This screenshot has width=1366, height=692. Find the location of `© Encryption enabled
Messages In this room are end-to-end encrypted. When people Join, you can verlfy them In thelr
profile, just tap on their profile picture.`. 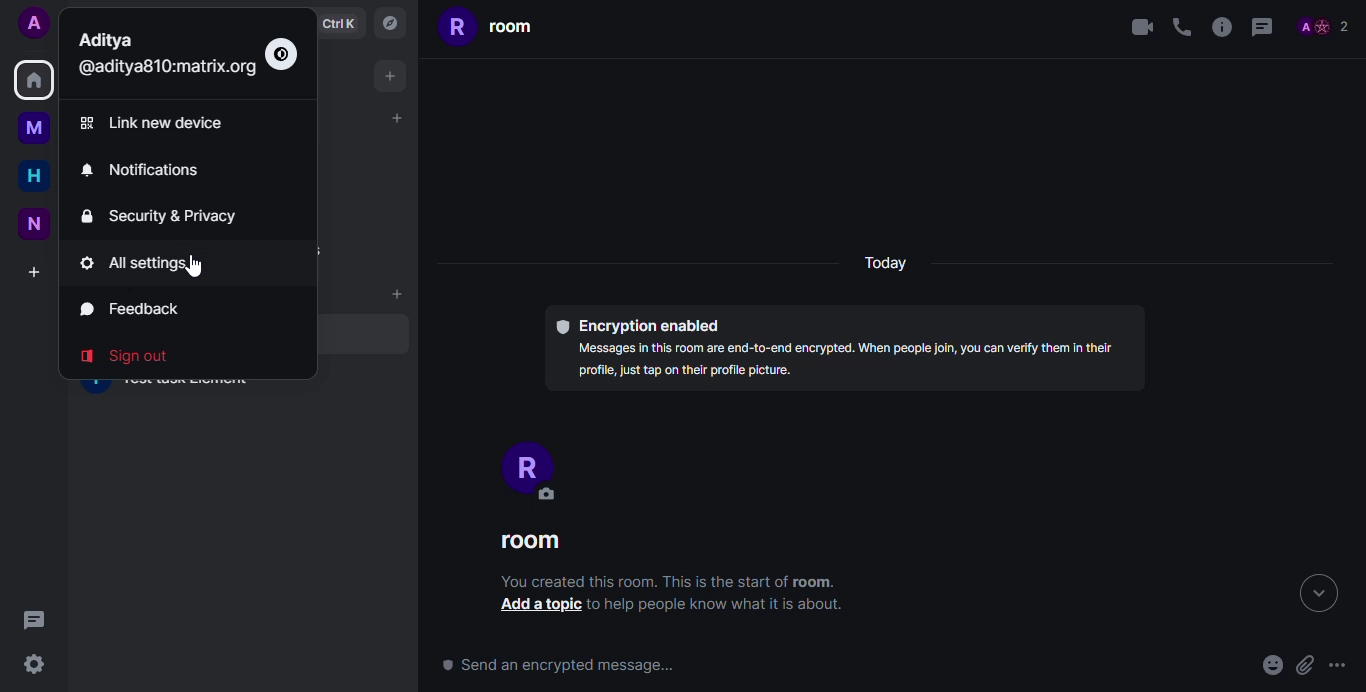

© Encryption enabled
Messages In this room are end-to-end encrypted. When people Join, you can verlfy them In thelr
profile, just tap on their profile picture. is located at coordinates (845, 347).